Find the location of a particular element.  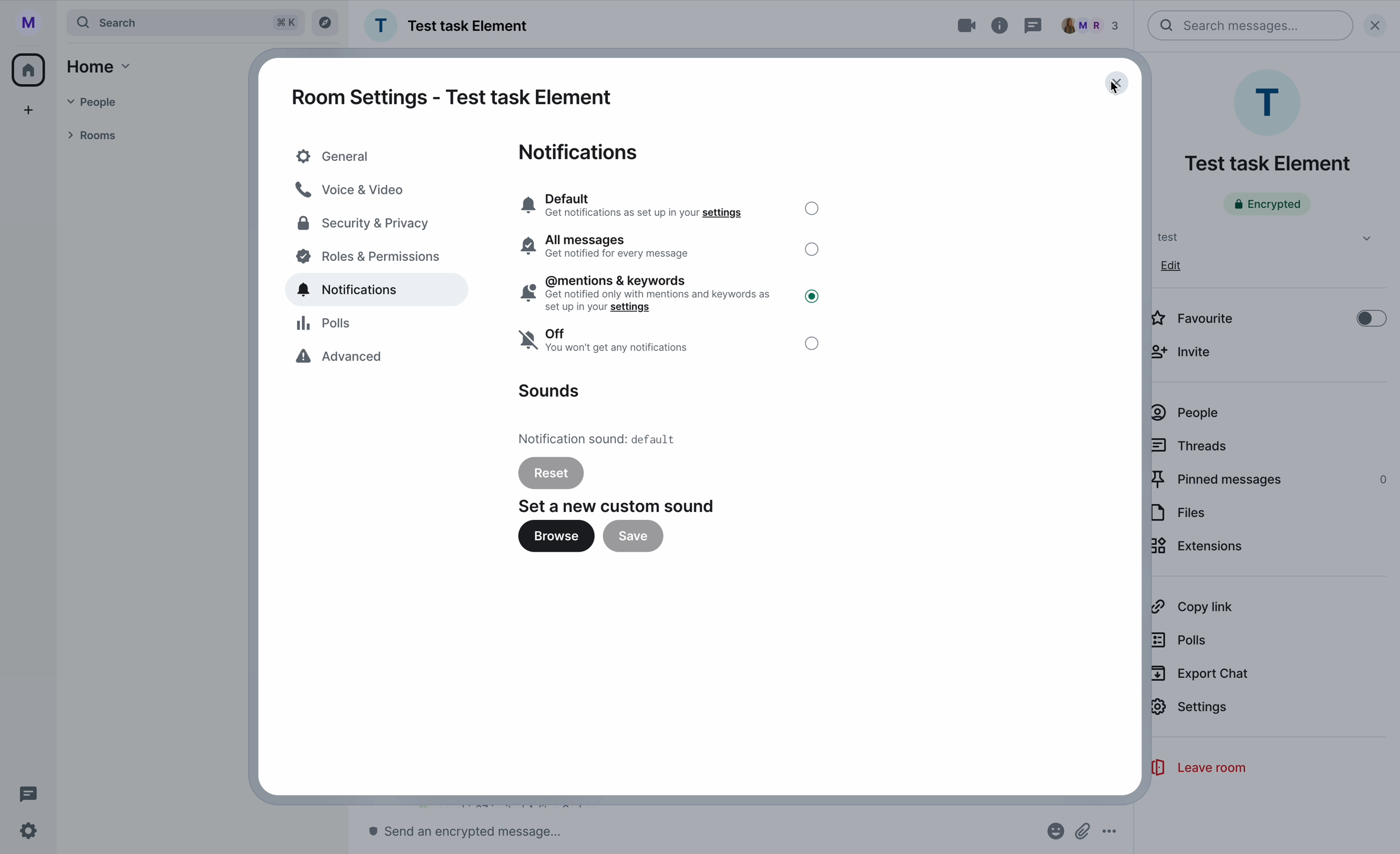

notification sound: default is located at coordinates (602, 438).